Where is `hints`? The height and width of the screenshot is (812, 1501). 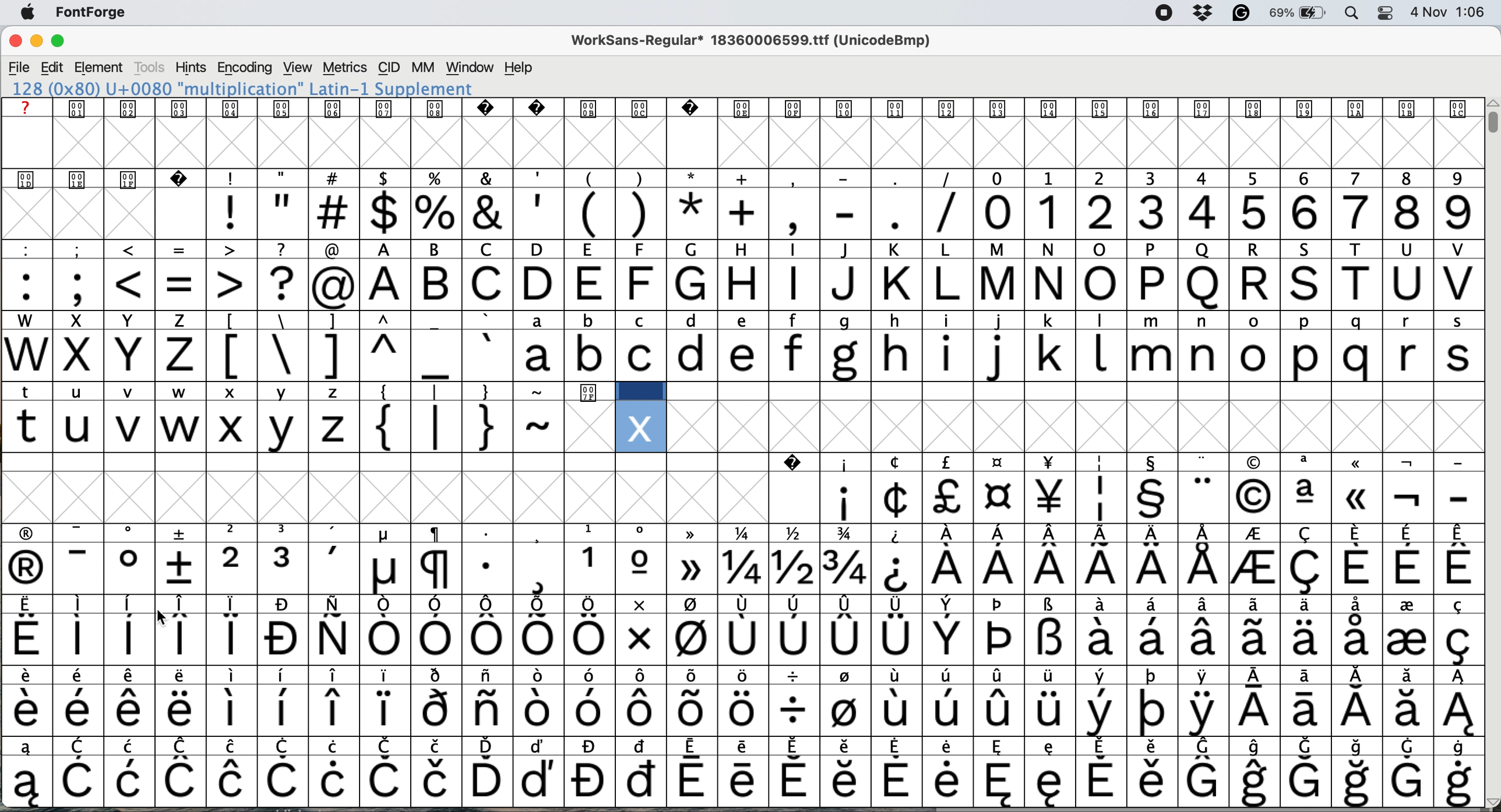
hints is located at coordinates (191, 69).